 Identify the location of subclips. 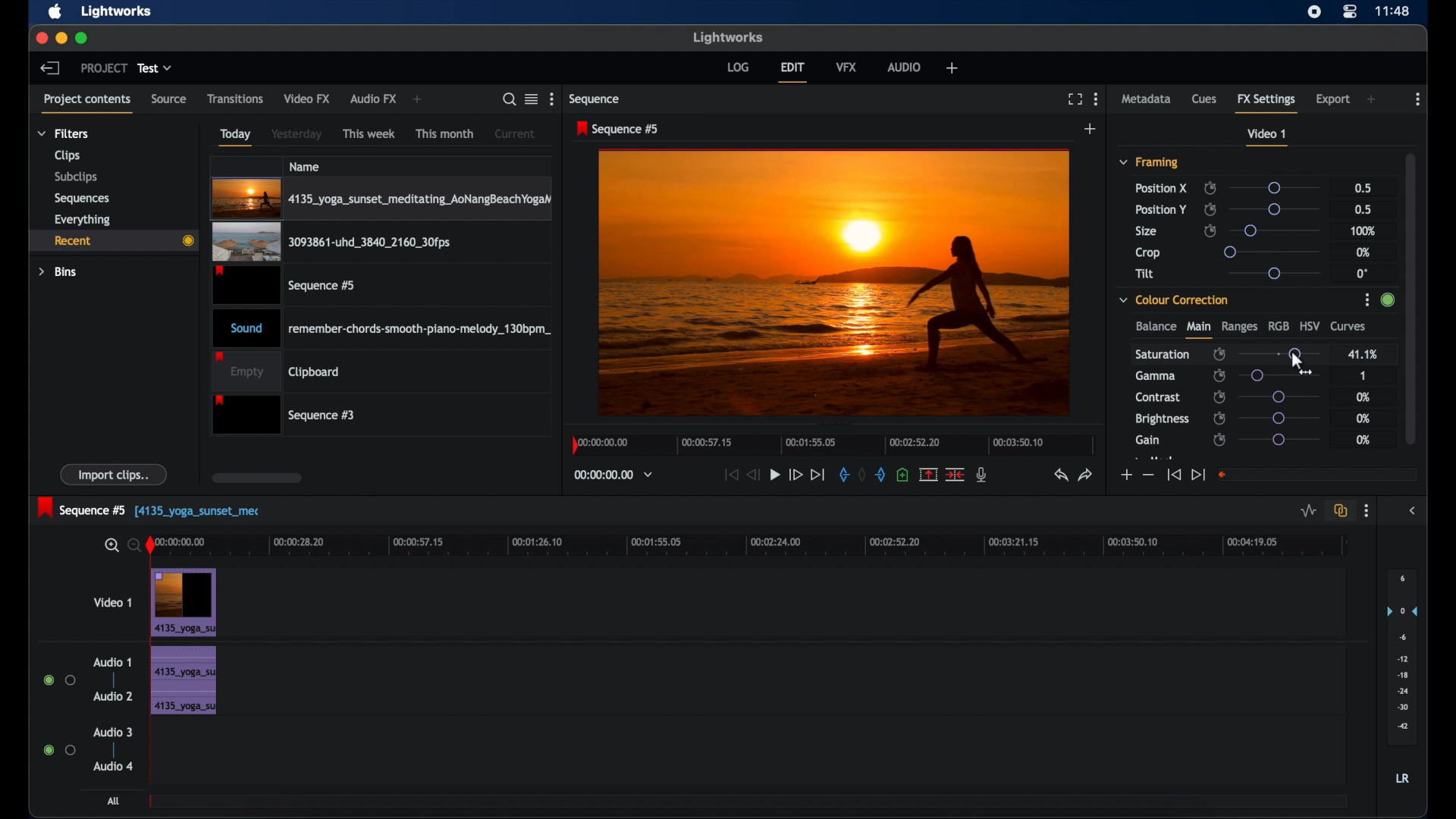
(74, 178).